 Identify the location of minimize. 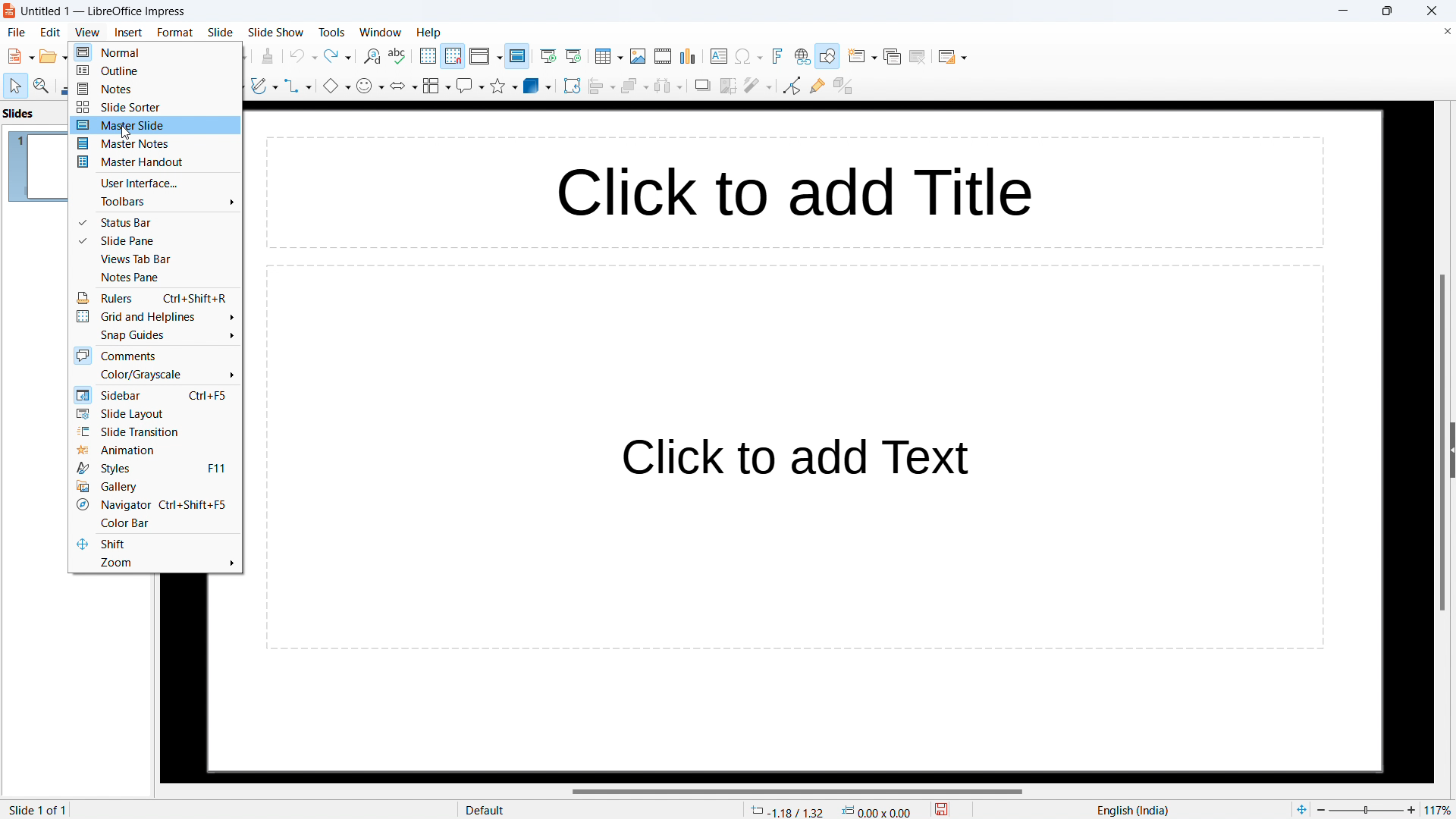
(1344, 11).